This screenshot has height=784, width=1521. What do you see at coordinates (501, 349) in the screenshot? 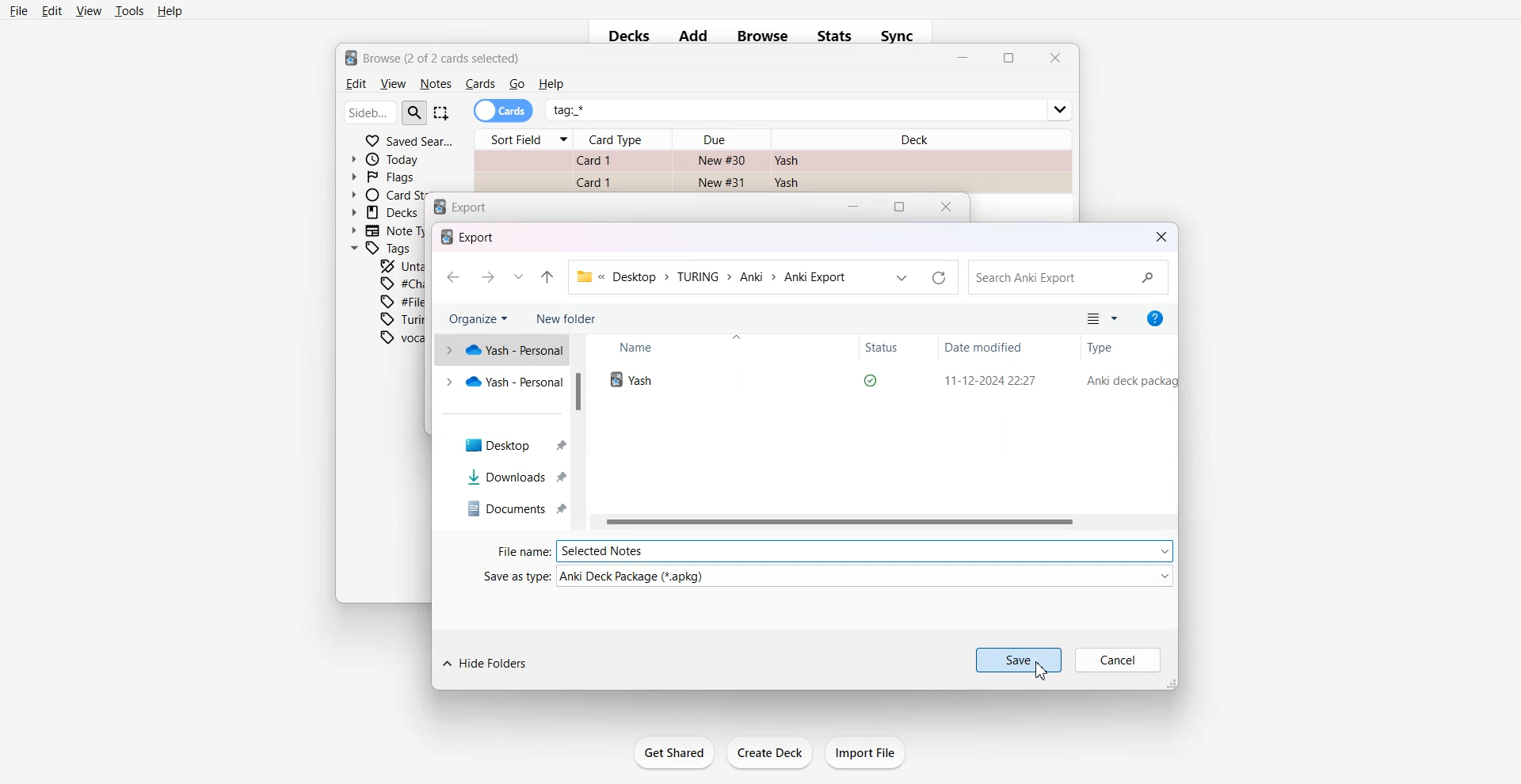
I see `One Drive` at bounding box center [501, 349].